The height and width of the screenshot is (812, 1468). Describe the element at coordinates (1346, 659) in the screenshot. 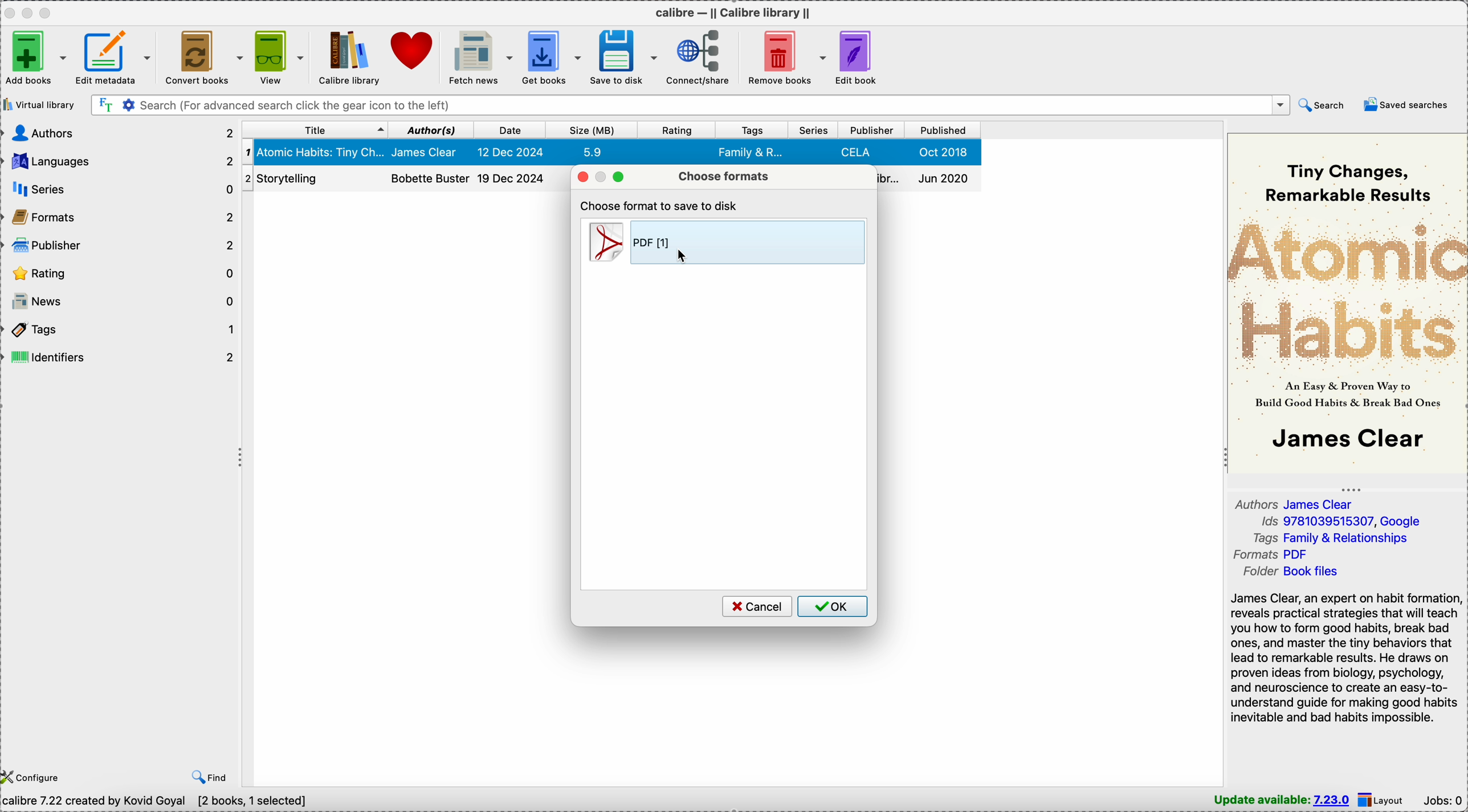

I see `James Clear, an expert on habit formation reveals practical strategies that will teach you how to form good habits, break bad ones, and master the tiny behaviors that lead to remarkable results. He draws on proven ideas from biology, psychology, and neuroscience to create an easy-to-understand guide...` at that location.